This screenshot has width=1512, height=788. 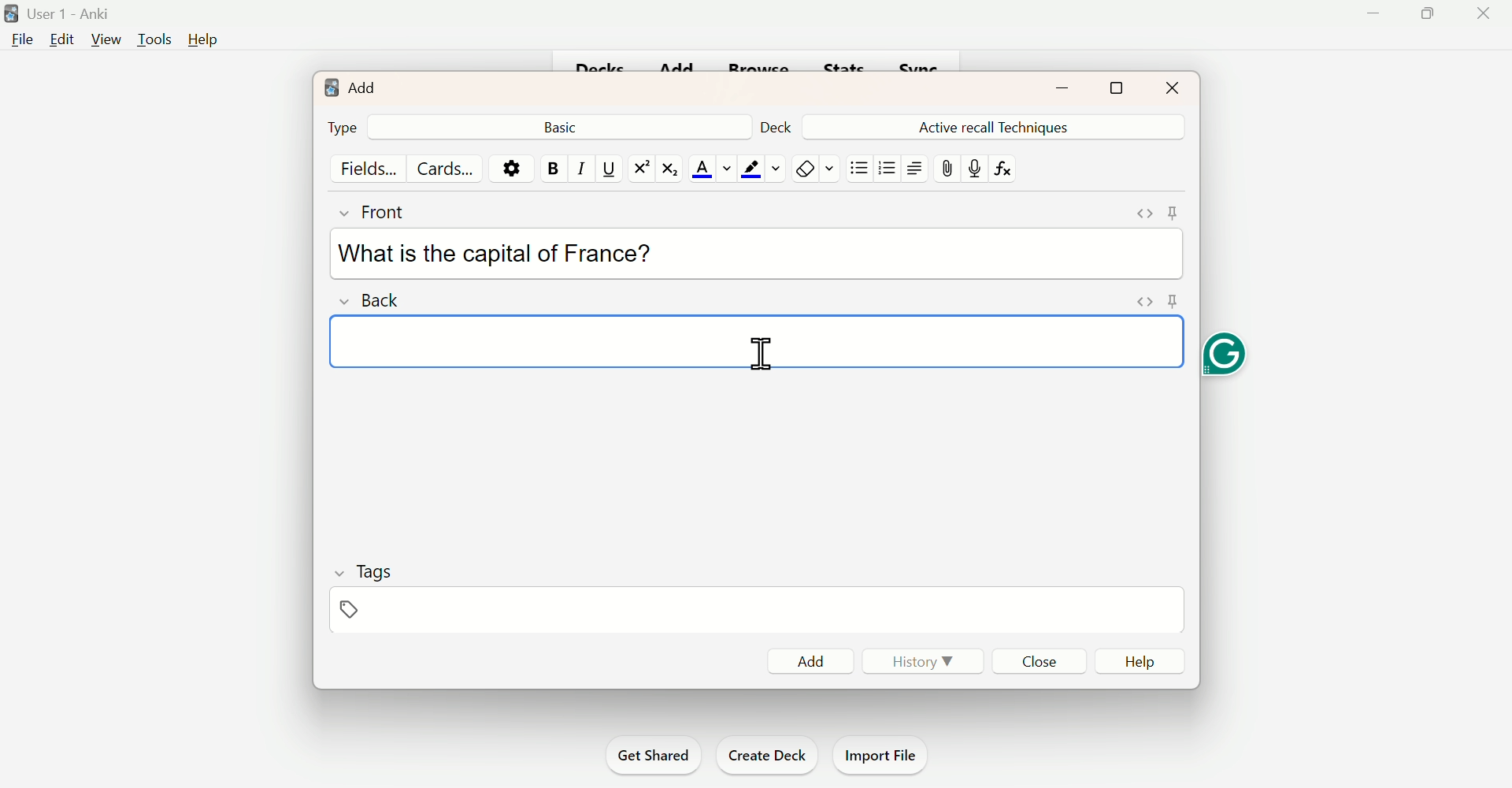 What do you see at coordinates (449, 168) in the screenshot?
I see `Cards` at bounding box center [449, 168].